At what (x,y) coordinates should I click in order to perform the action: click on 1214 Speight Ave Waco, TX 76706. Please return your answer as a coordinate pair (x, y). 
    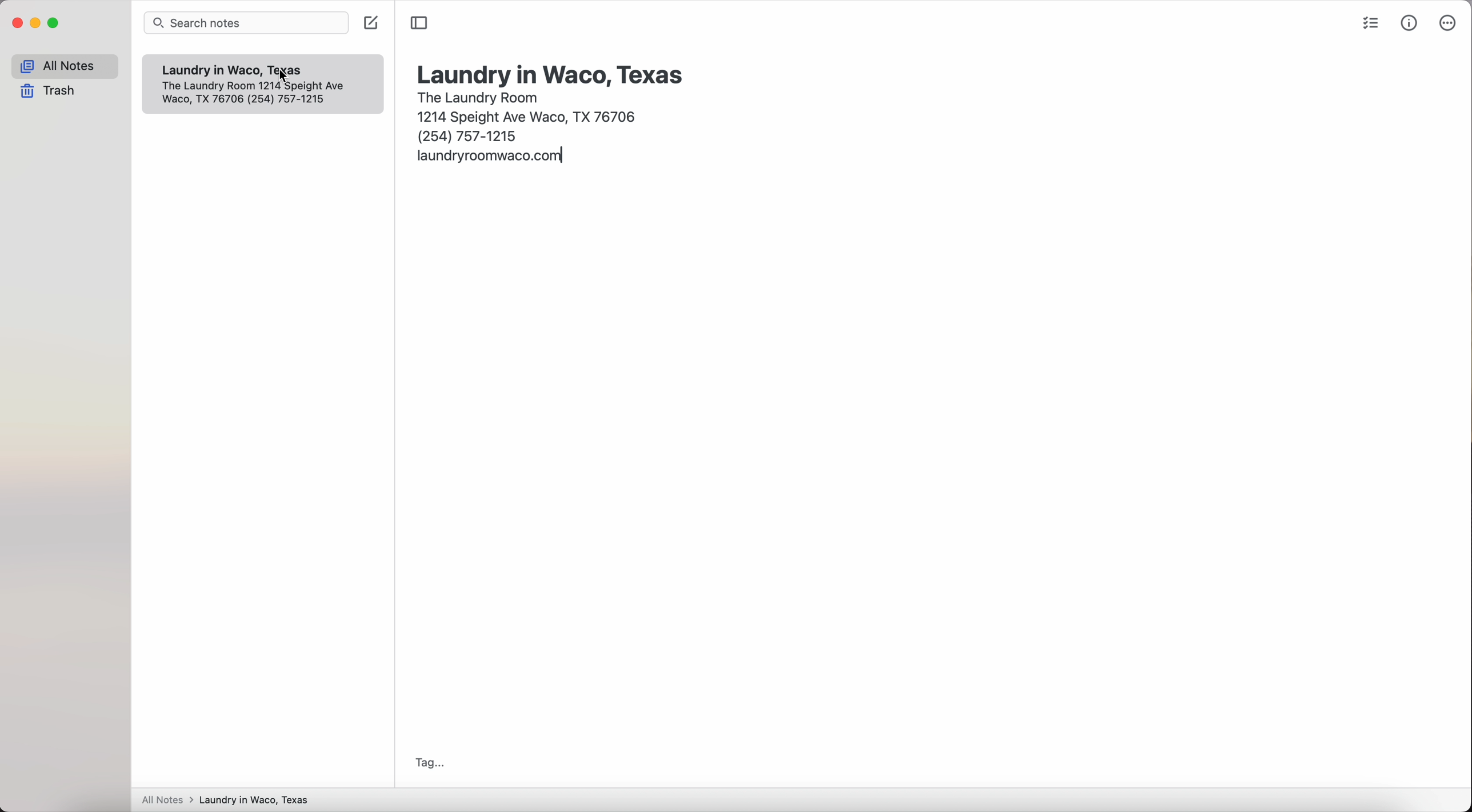
    Looking at the image, I should click on (263, 98).